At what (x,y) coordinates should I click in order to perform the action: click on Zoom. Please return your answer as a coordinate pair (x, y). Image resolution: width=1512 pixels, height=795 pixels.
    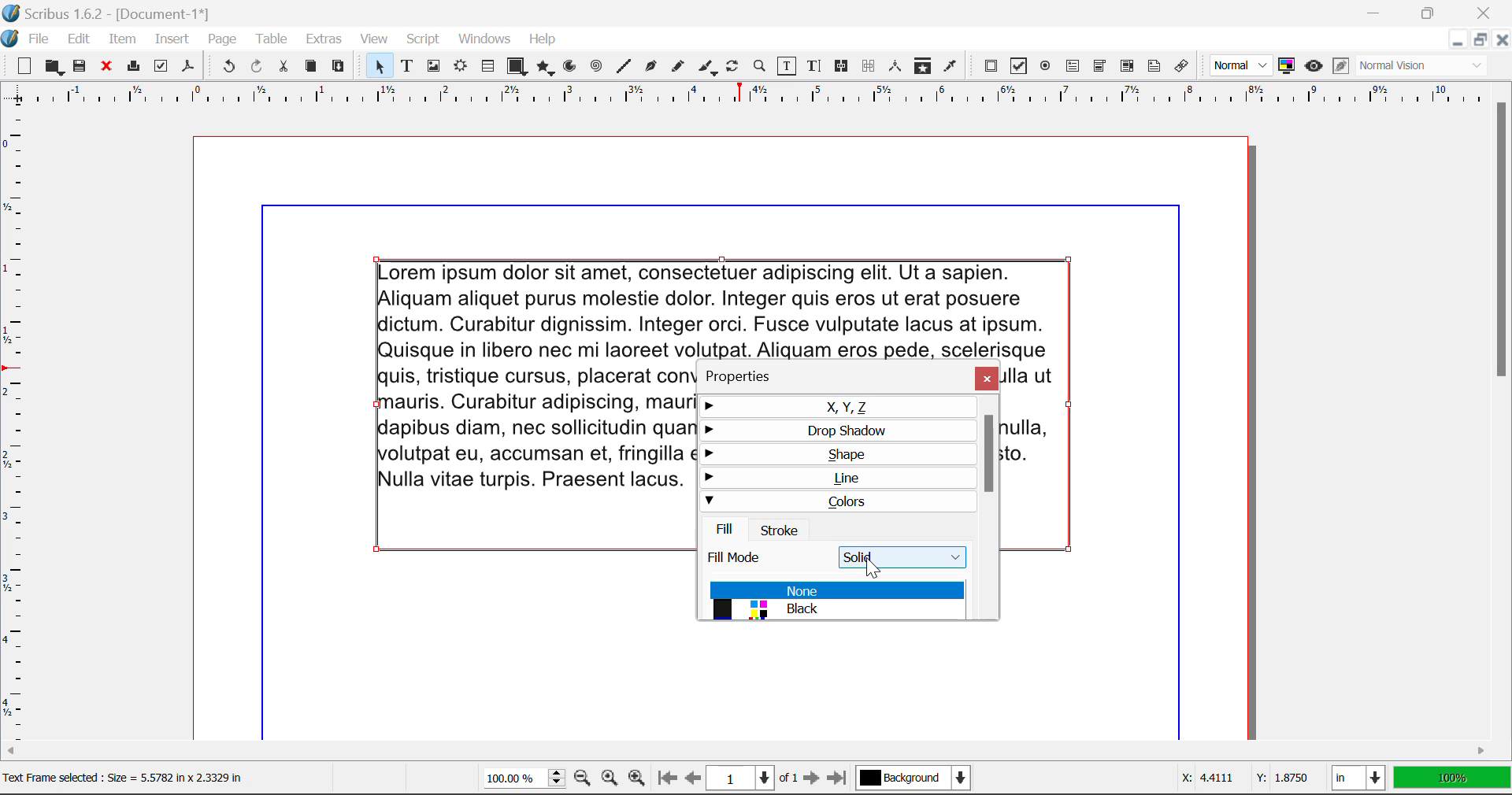
    Looking at the image, I should click on (760, 65).